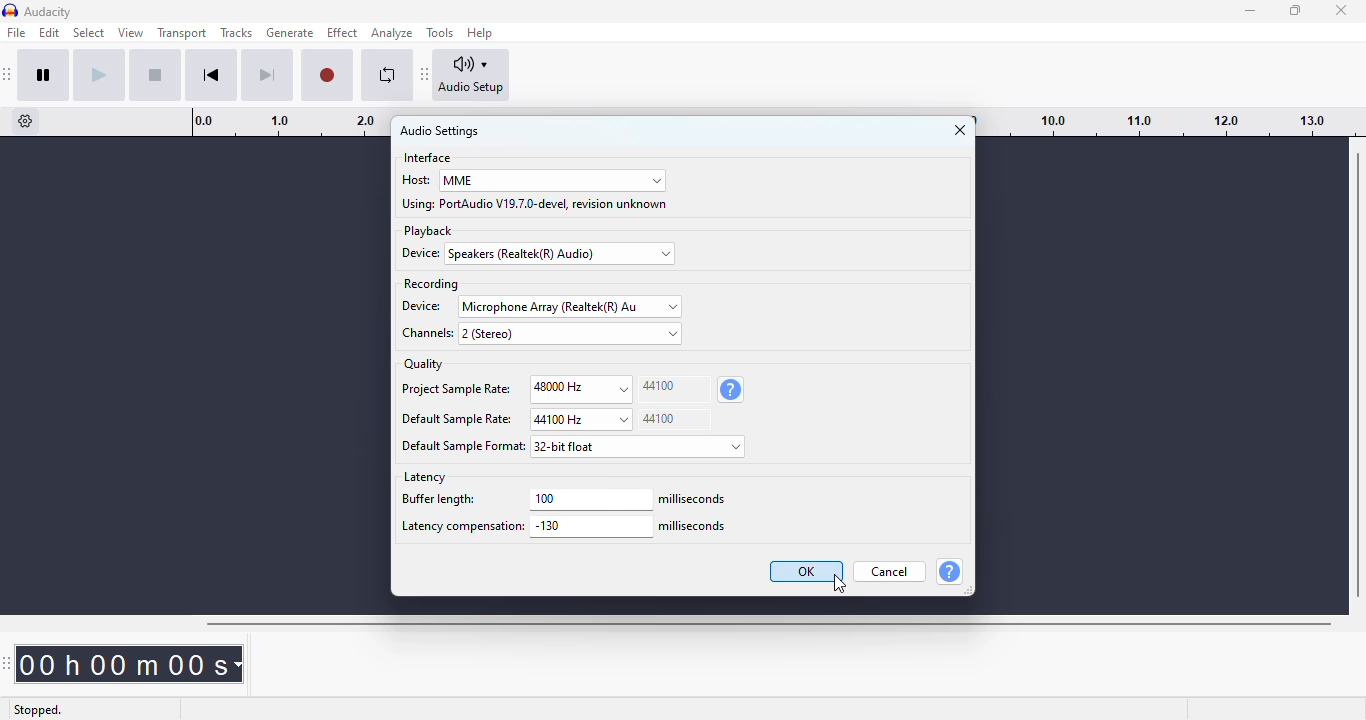  What do you see at coordinates (424, 306) in the screenshot?
I see `device` at bounding box center [424, 306].